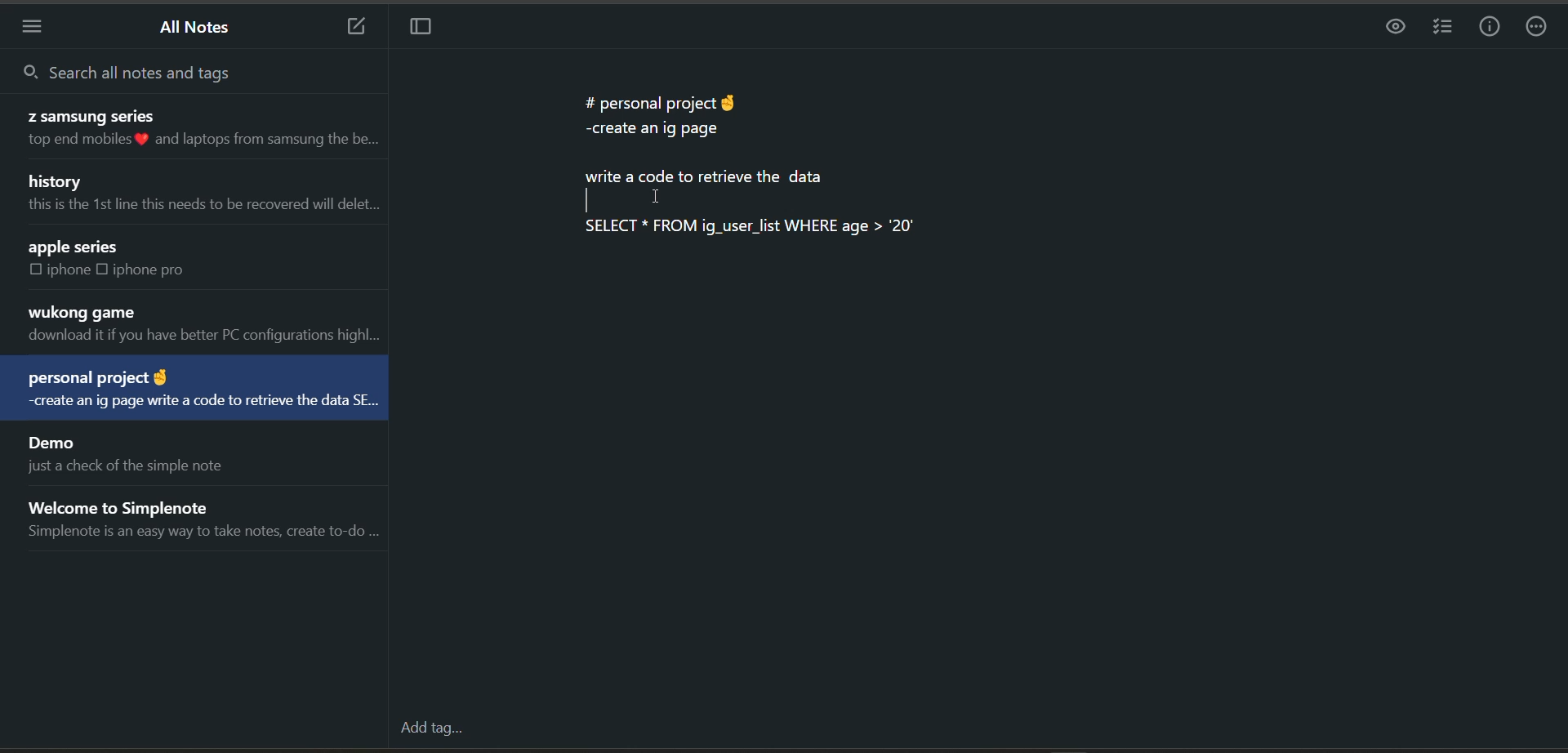  What do you see at coordinates (207, 515) in the screenshot?
I see `note title  and preview` at bounding box center [207, 515].